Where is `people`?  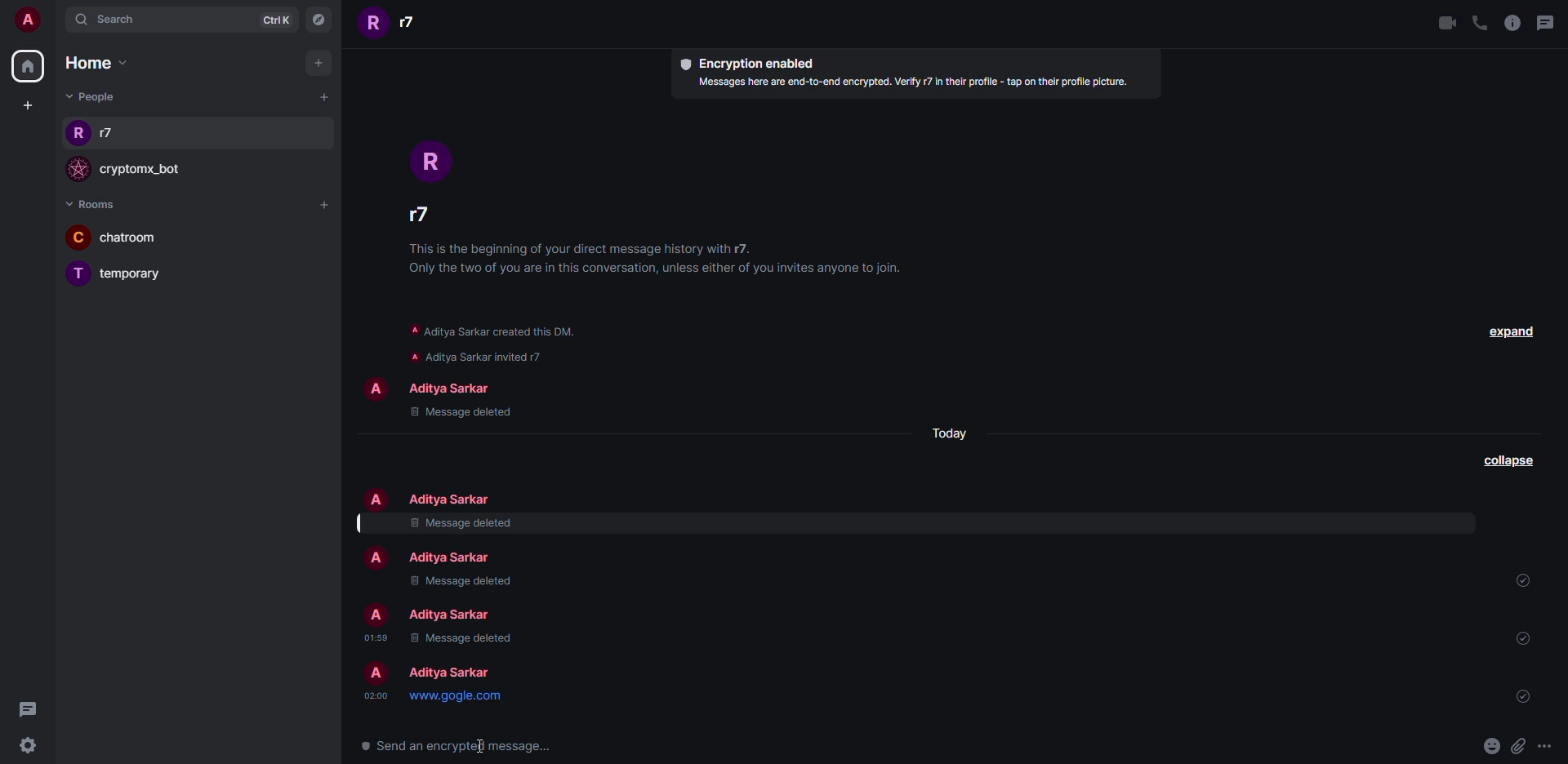
people is located at coordinates (460, 556).